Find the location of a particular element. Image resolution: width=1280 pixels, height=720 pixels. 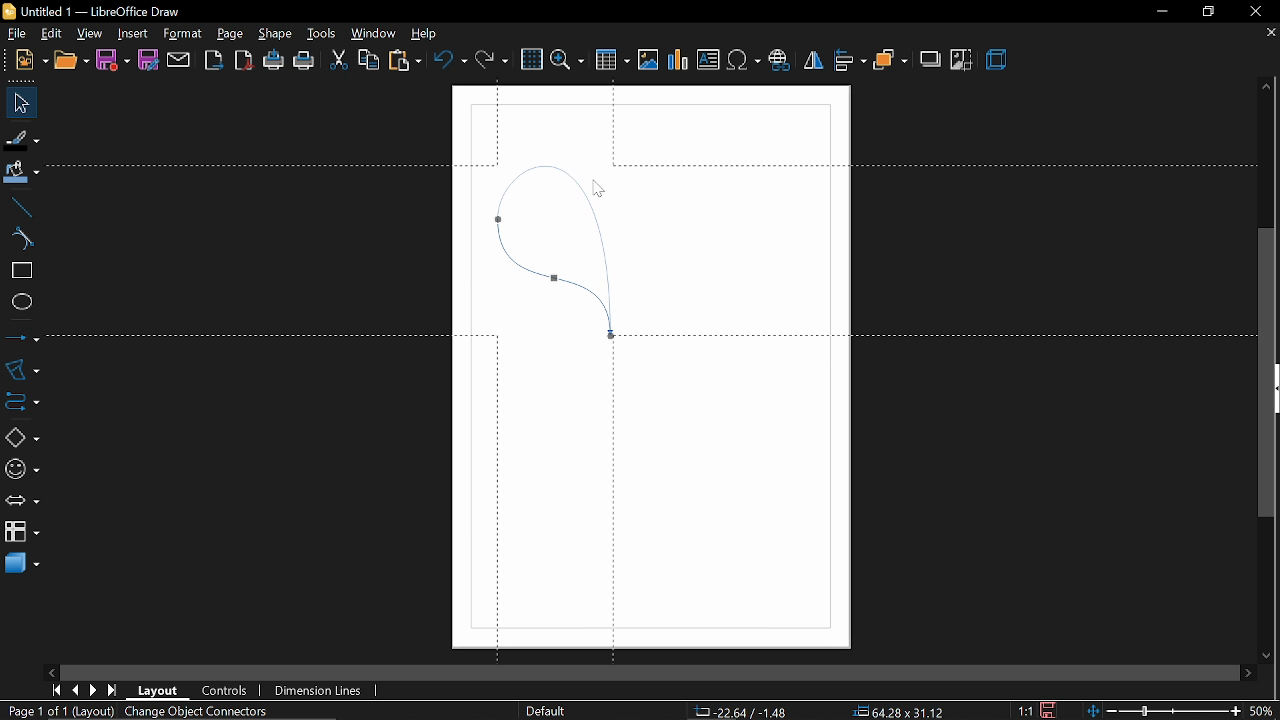

Cursor is located at coordinates (594, 185).